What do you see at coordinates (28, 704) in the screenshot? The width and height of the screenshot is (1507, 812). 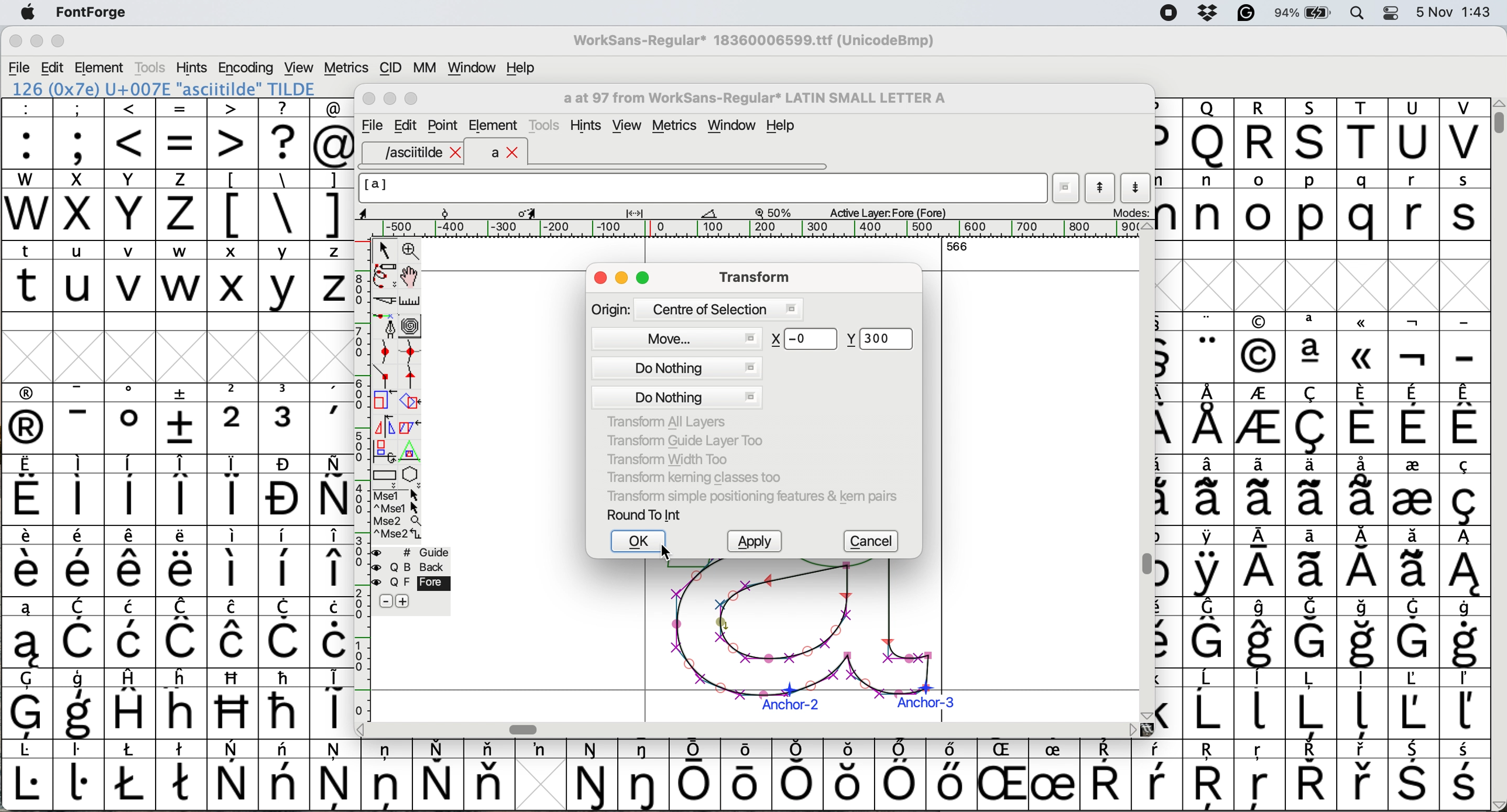 I see `symbol` at bounding box center [28, 704].